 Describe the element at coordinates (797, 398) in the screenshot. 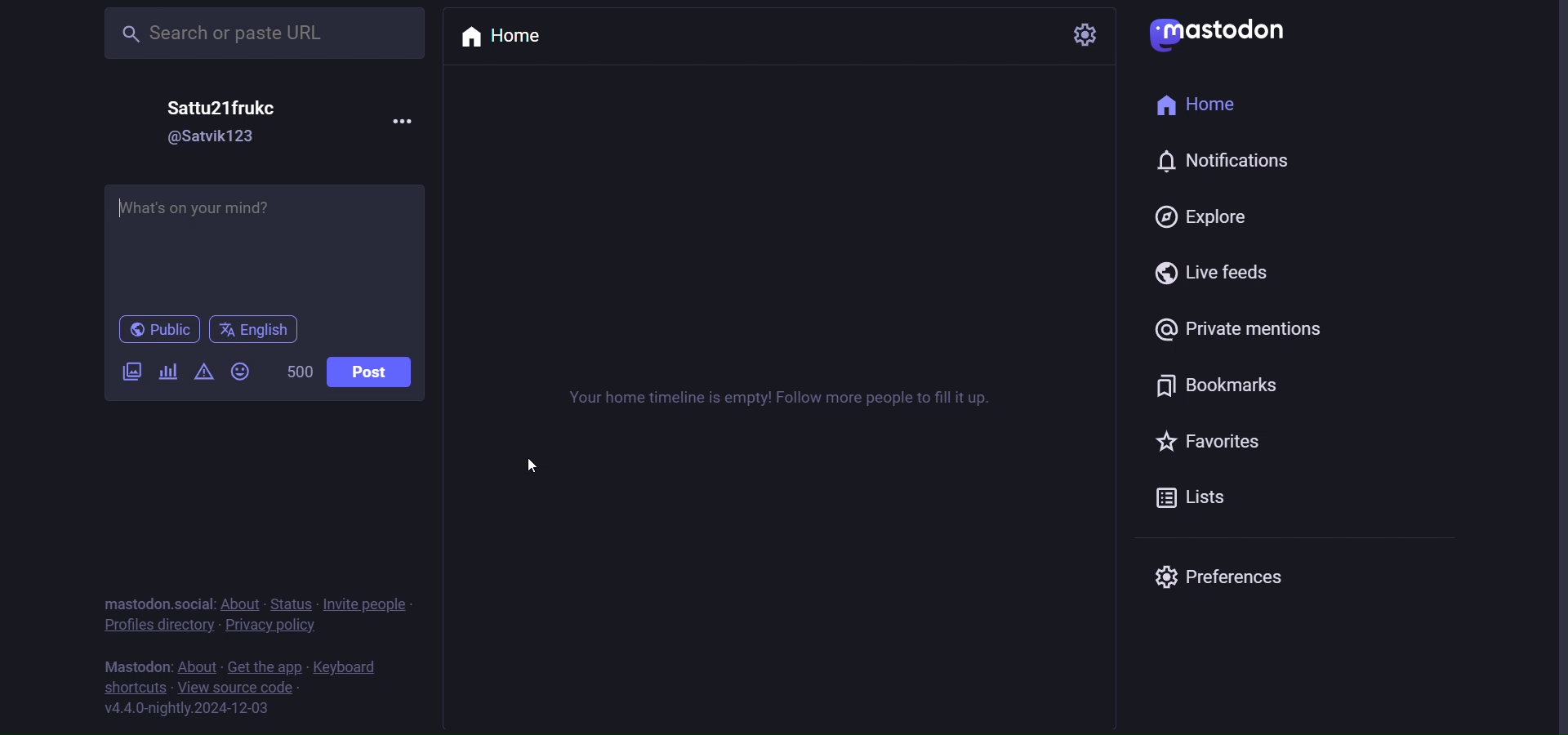

I see `your home timeline is empty` at that location.